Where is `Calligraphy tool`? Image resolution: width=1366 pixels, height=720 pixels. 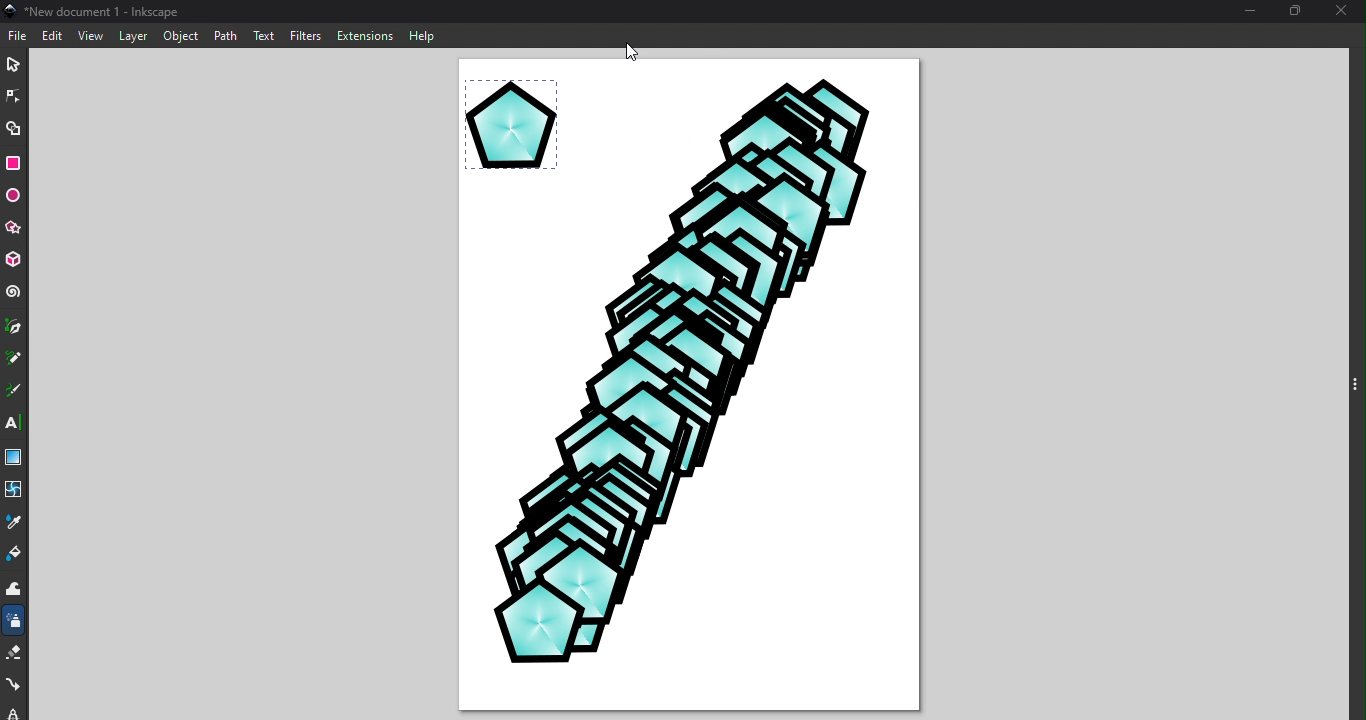
Calligraphy tool is located at coordinates (13, 390).